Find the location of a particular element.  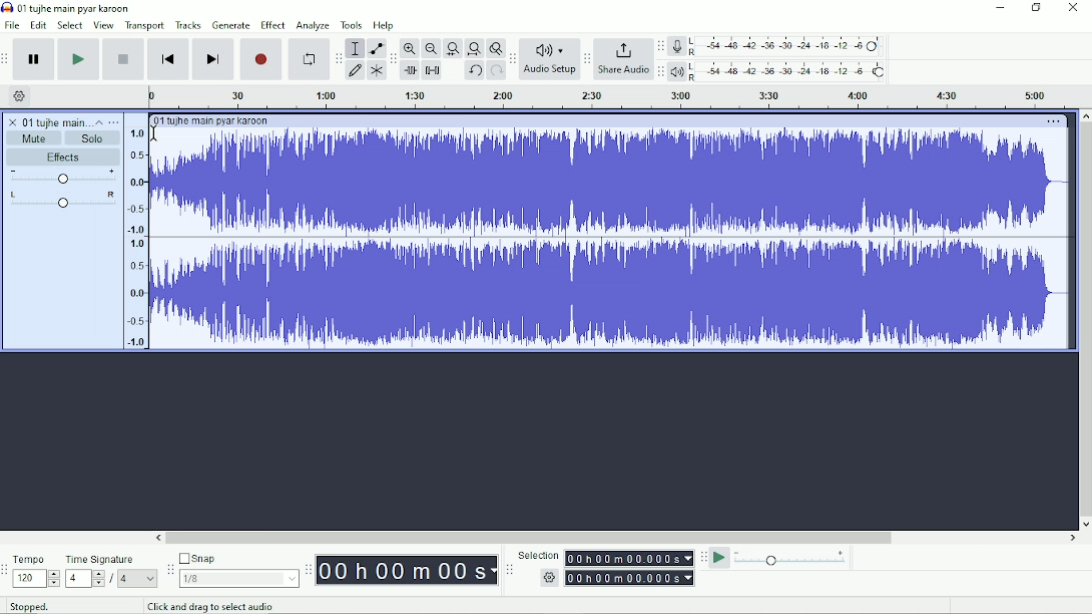

close is located at coordinates (13, 119).